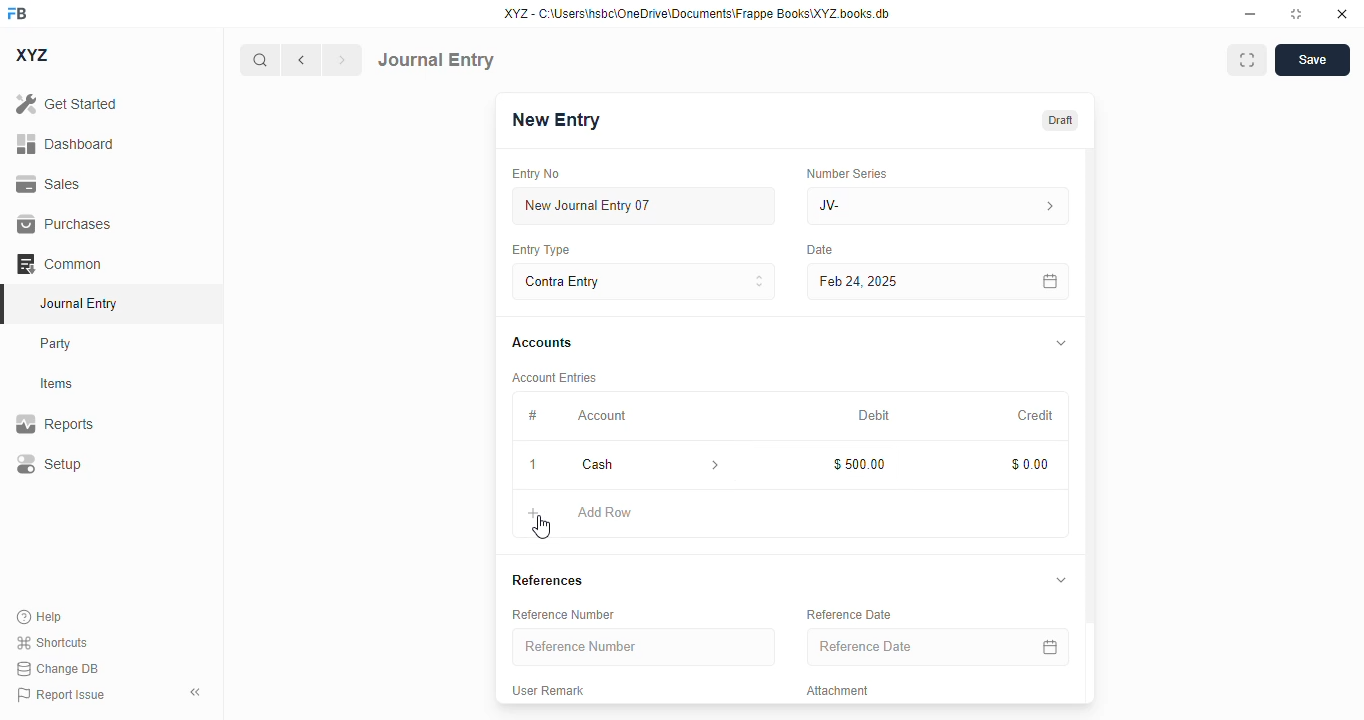  I want to click on FB - logo, so click(17, 13).